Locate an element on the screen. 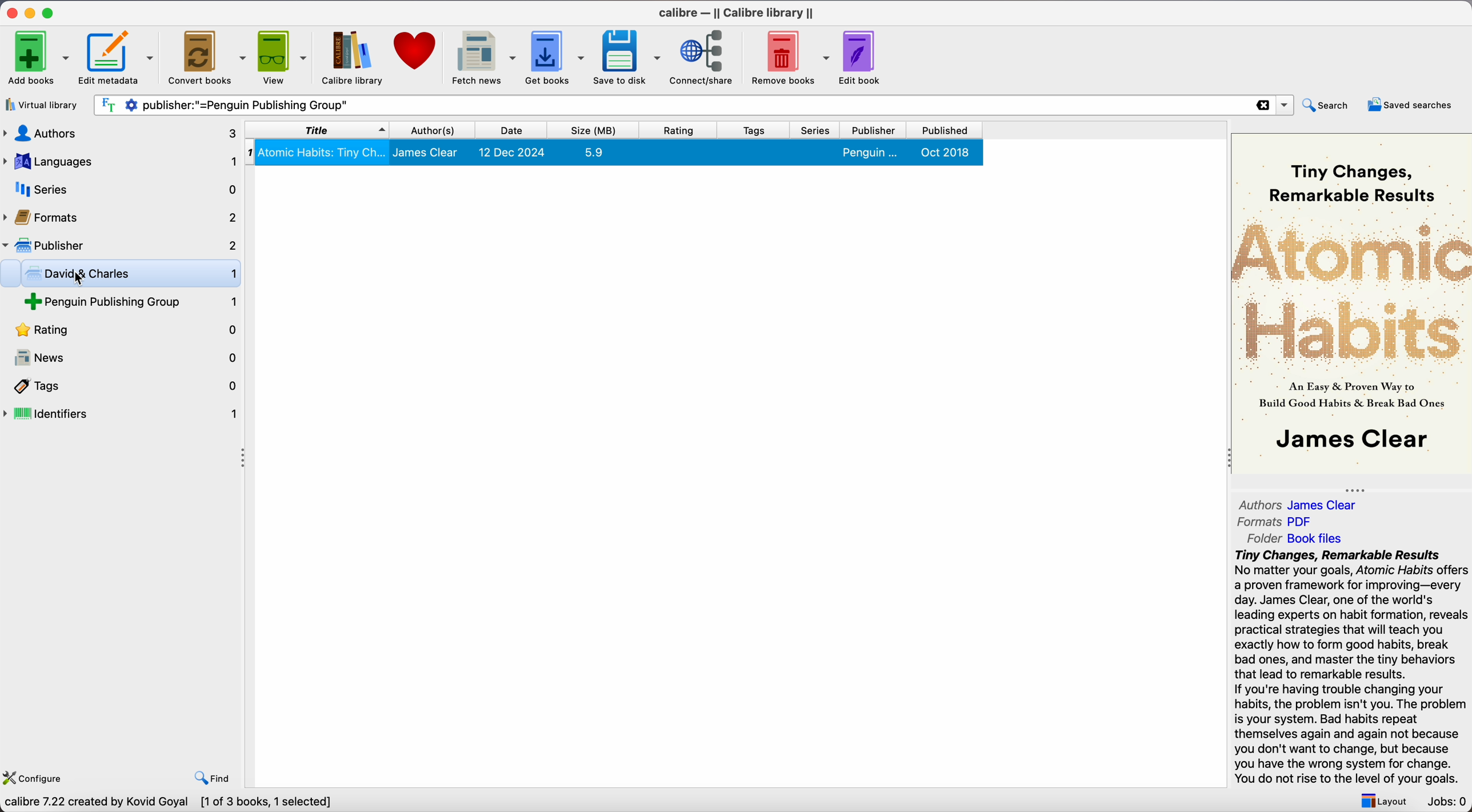 The height and width of the screenshot is (812, 1472). click on publicher options is located at coordinates (121, 245).